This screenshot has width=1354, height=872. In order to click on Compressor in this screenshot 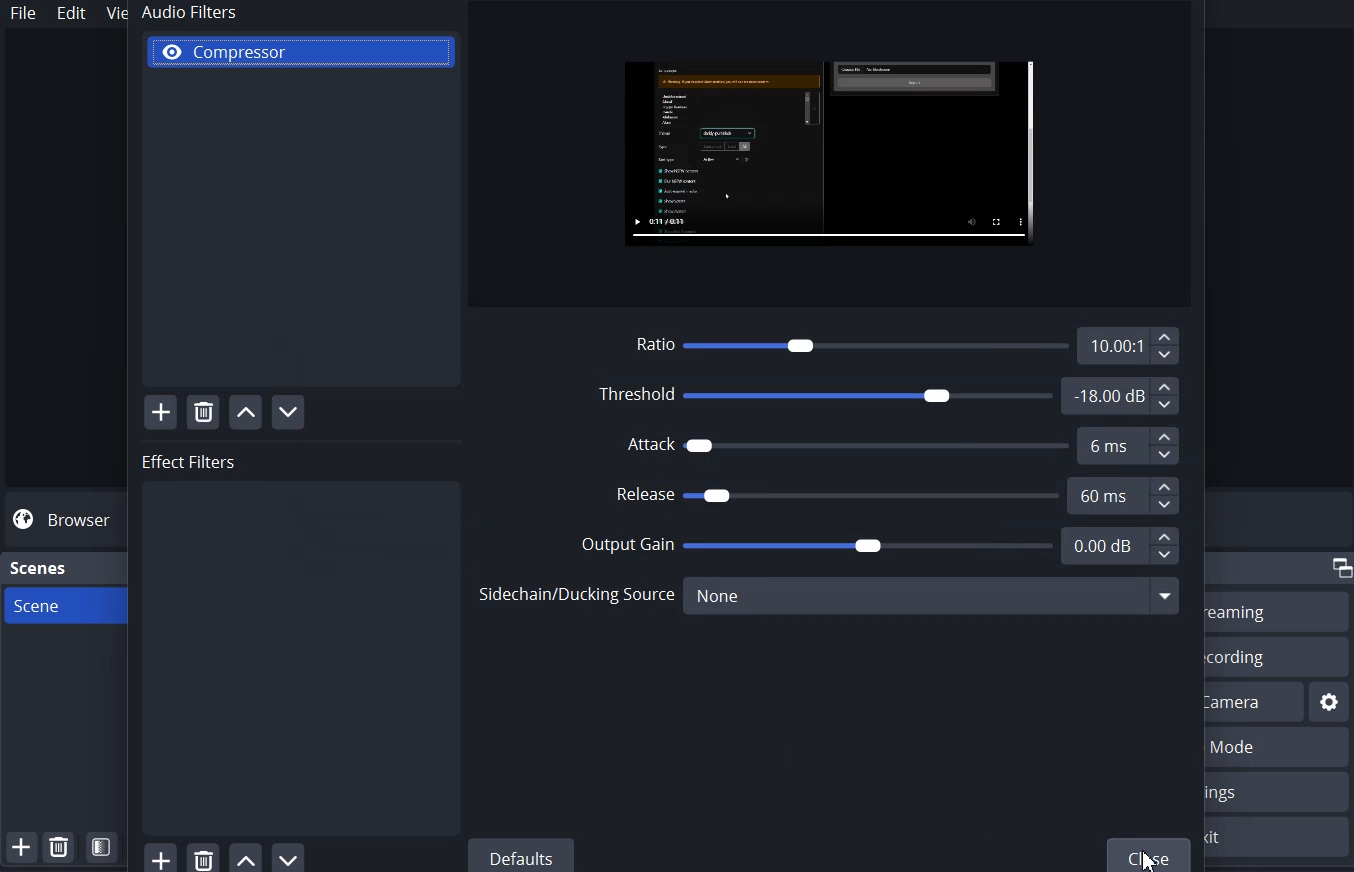, I will do `click(303, 52)`.